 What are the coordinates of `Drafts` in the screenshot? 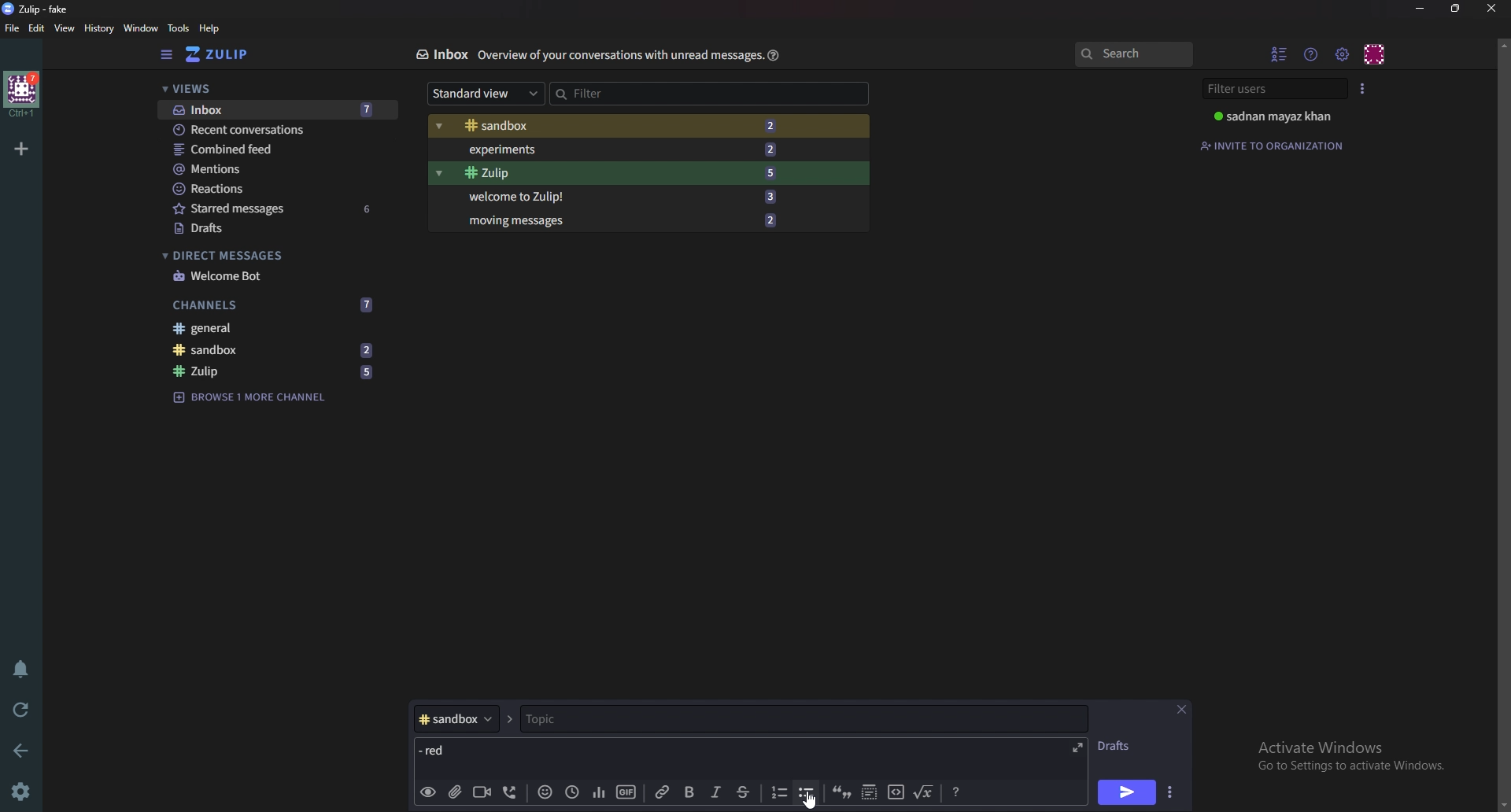 It's located at (1119, 746).